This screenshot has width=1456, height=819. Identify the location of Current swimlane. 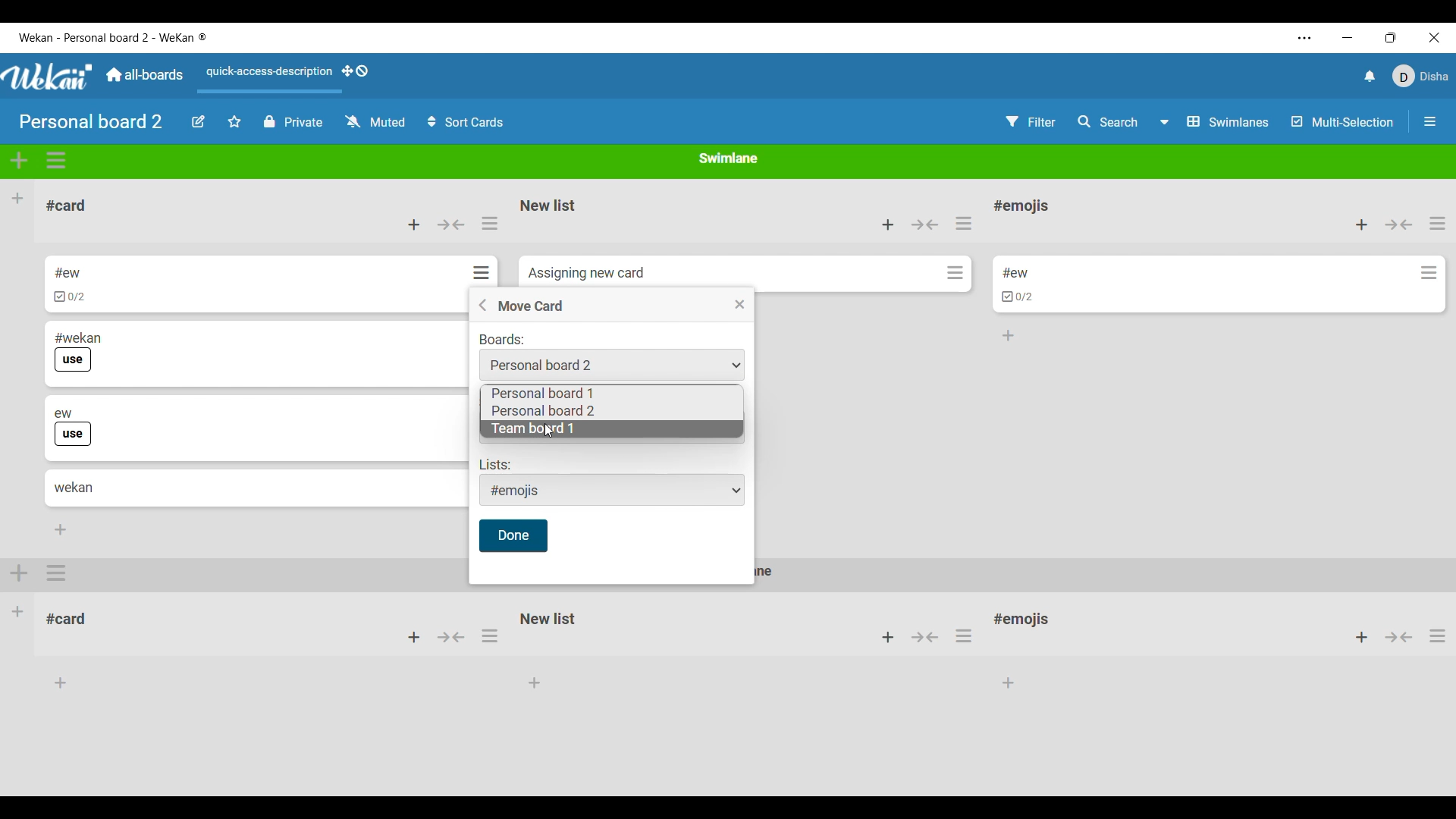
(729, 158).